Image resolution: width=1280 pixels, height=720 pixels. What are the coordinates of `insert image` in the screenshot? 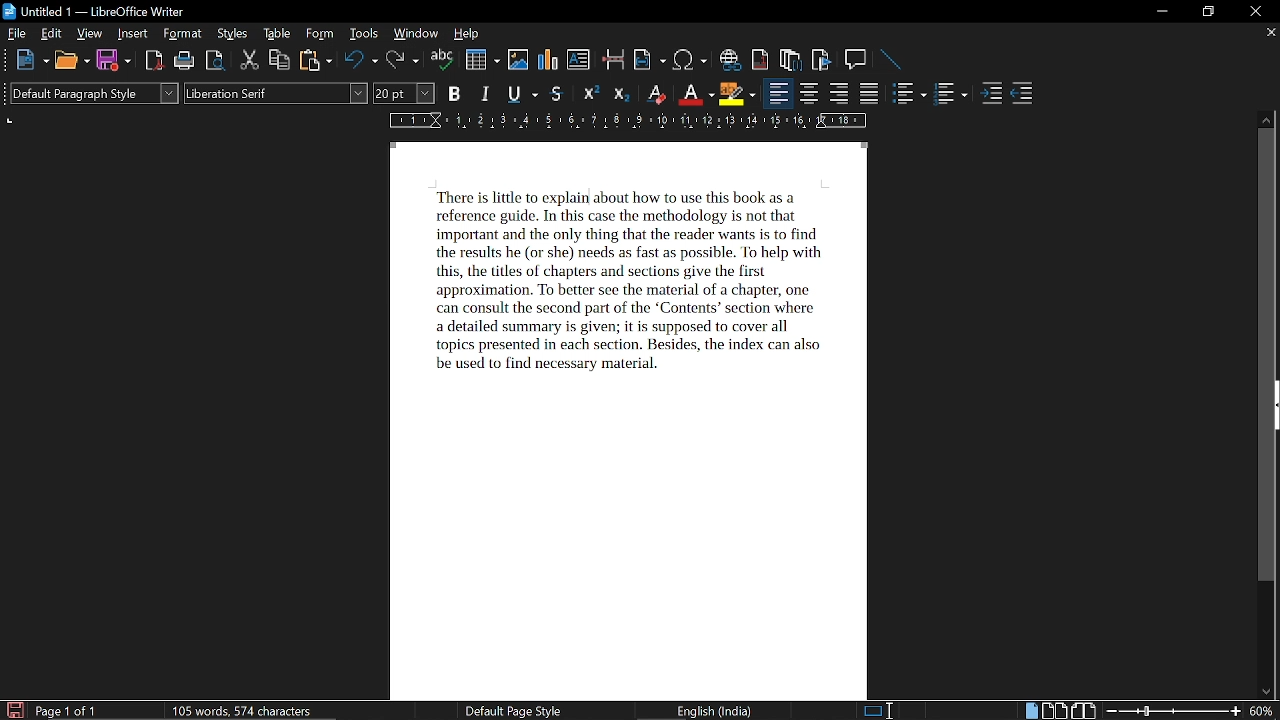 It's located at (519, 59).